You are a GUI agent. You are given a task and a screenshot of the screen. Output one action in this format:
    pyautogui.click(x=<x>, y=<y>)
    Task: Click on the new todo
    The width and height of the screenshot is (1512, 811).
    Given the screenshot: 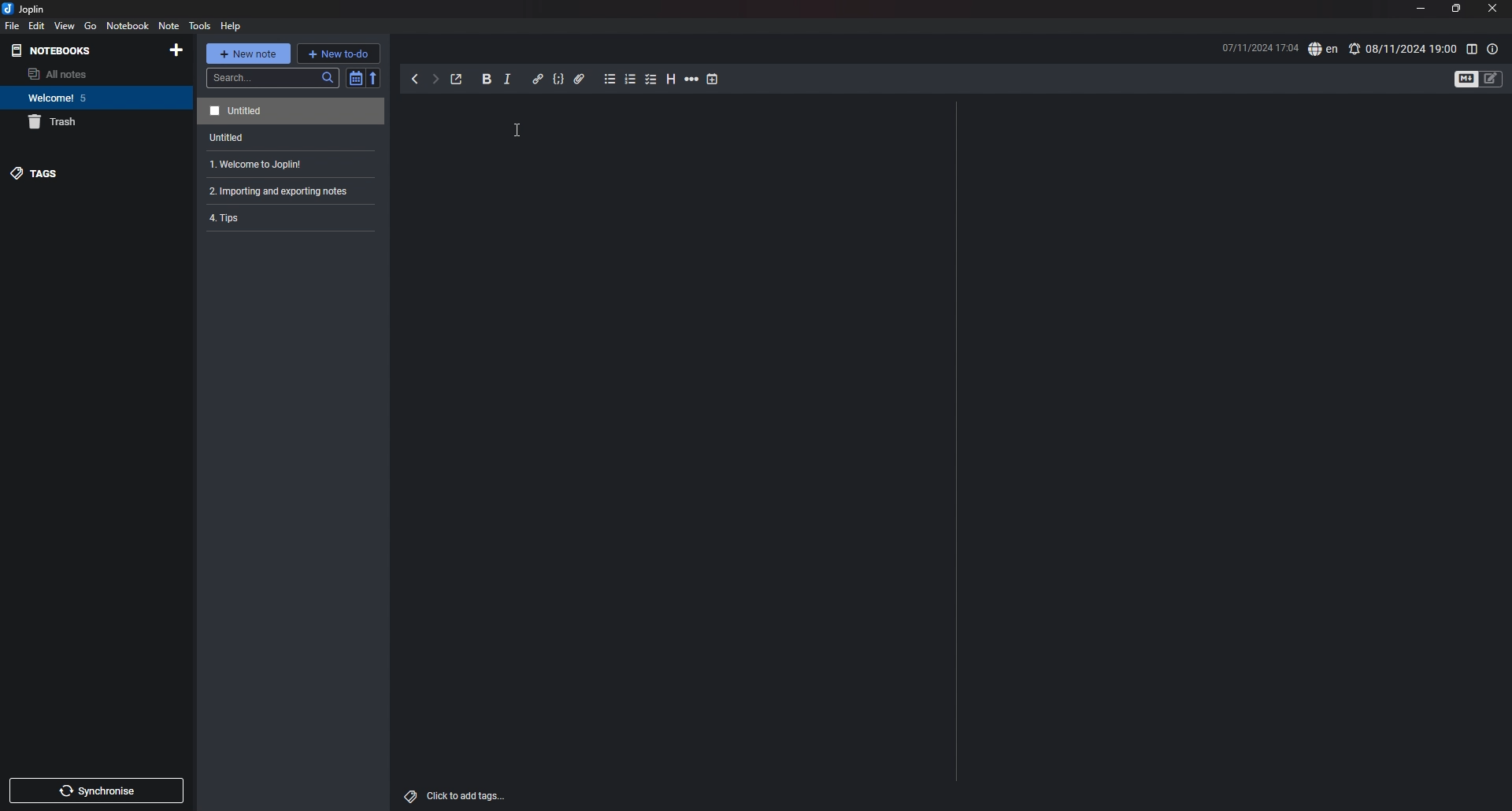 What is the action you would take?
    pyautogui.click(x=339, y=54)
    